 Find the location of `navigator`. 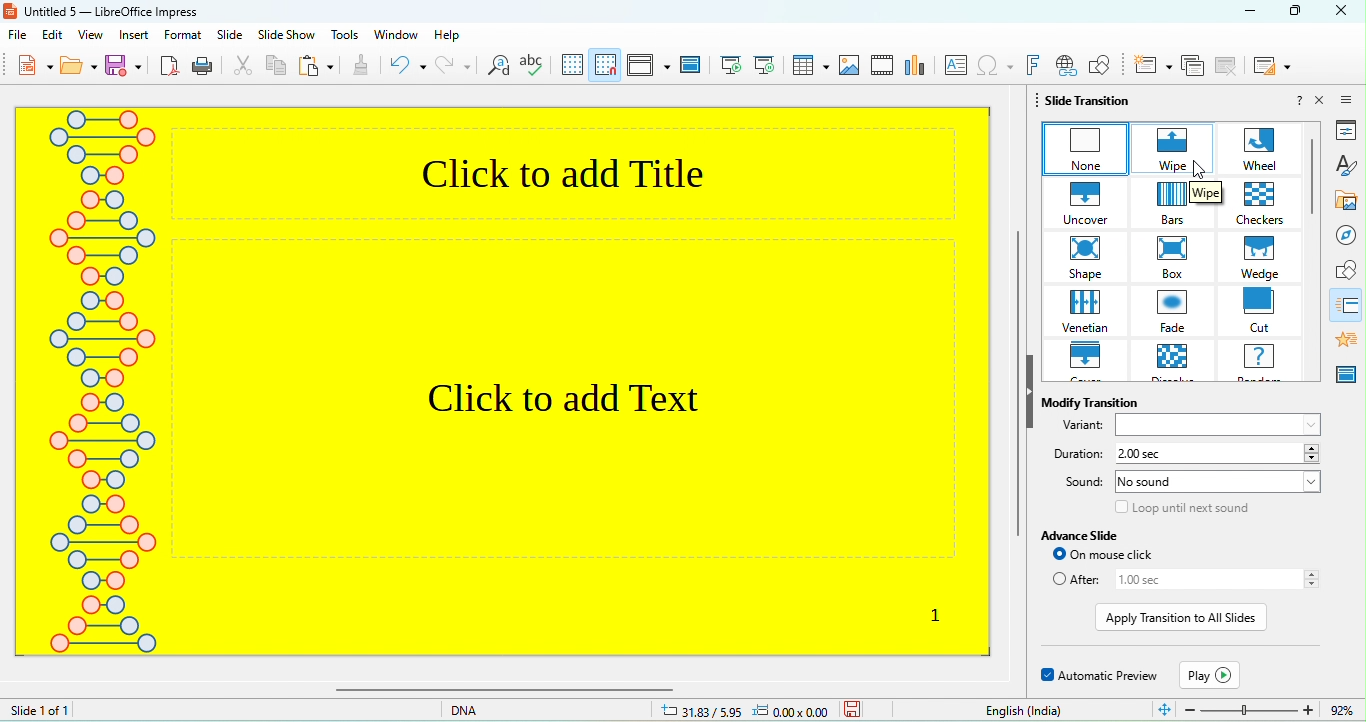

navigator is located at coordinates (1347, 236).